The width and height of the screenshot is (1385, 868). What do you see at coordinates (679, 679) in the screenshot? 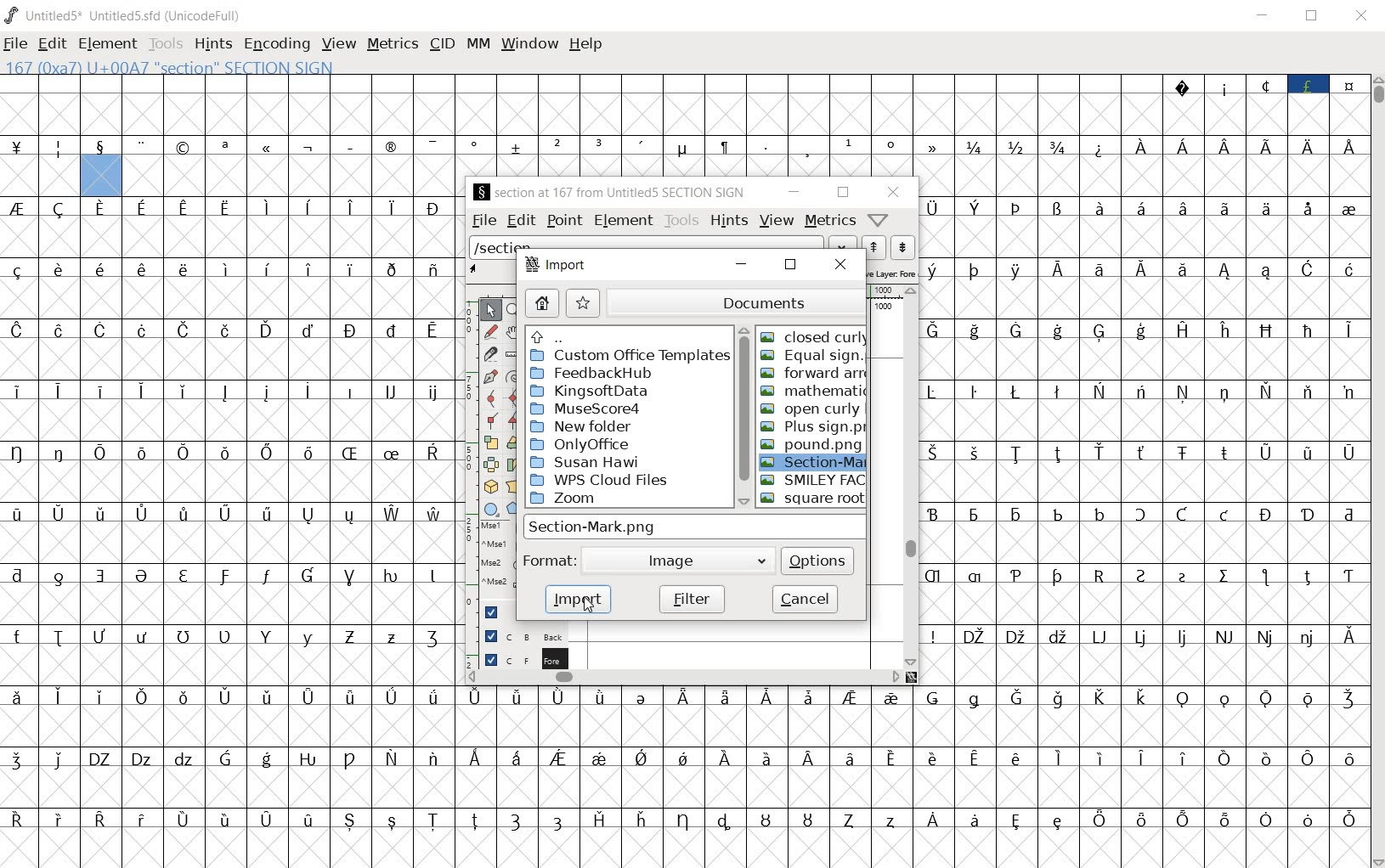
I see `scrollbar` at bounding box center [679, 679].